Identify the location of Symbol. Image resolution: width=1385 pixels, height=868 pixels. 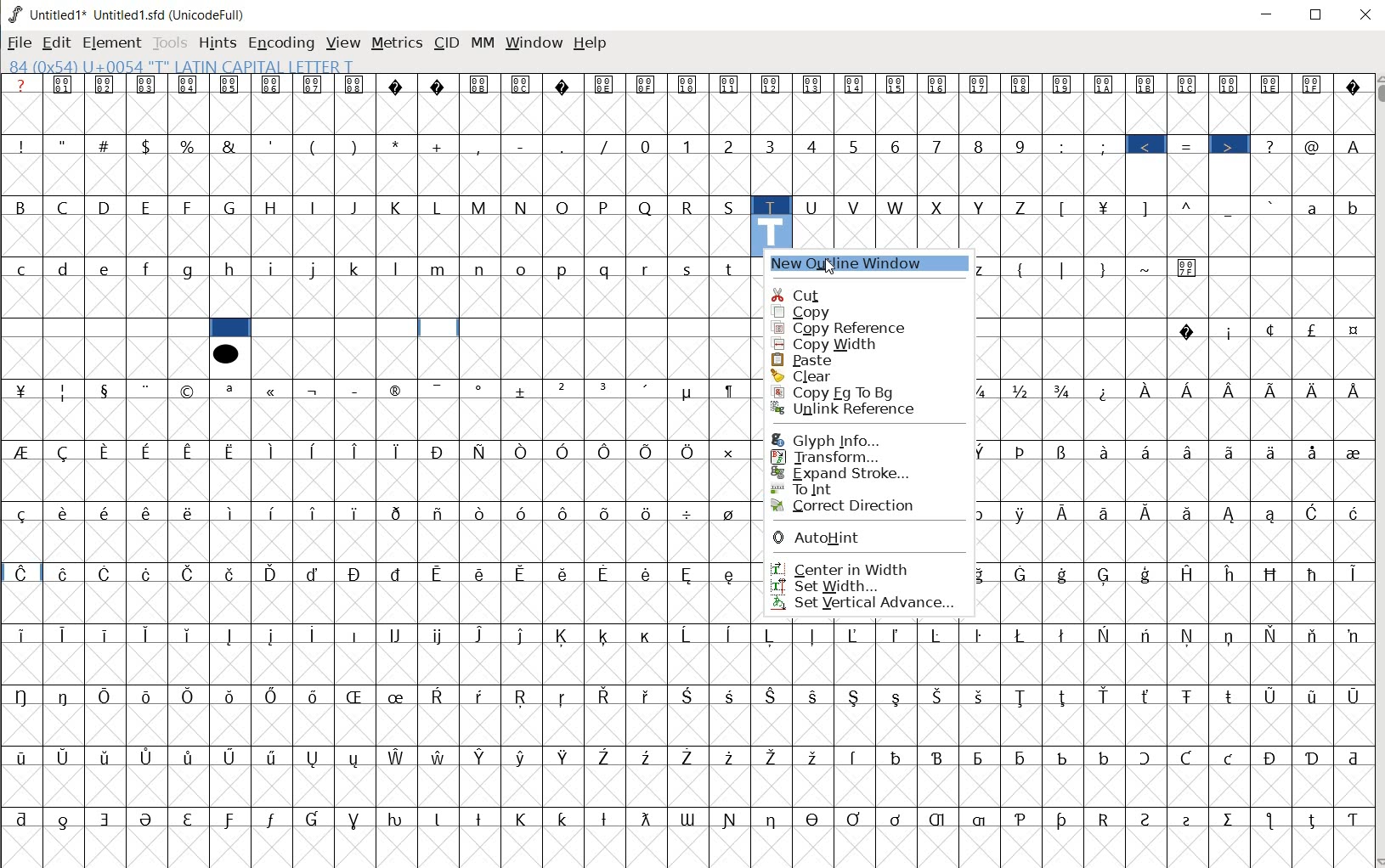
(1149, 84).